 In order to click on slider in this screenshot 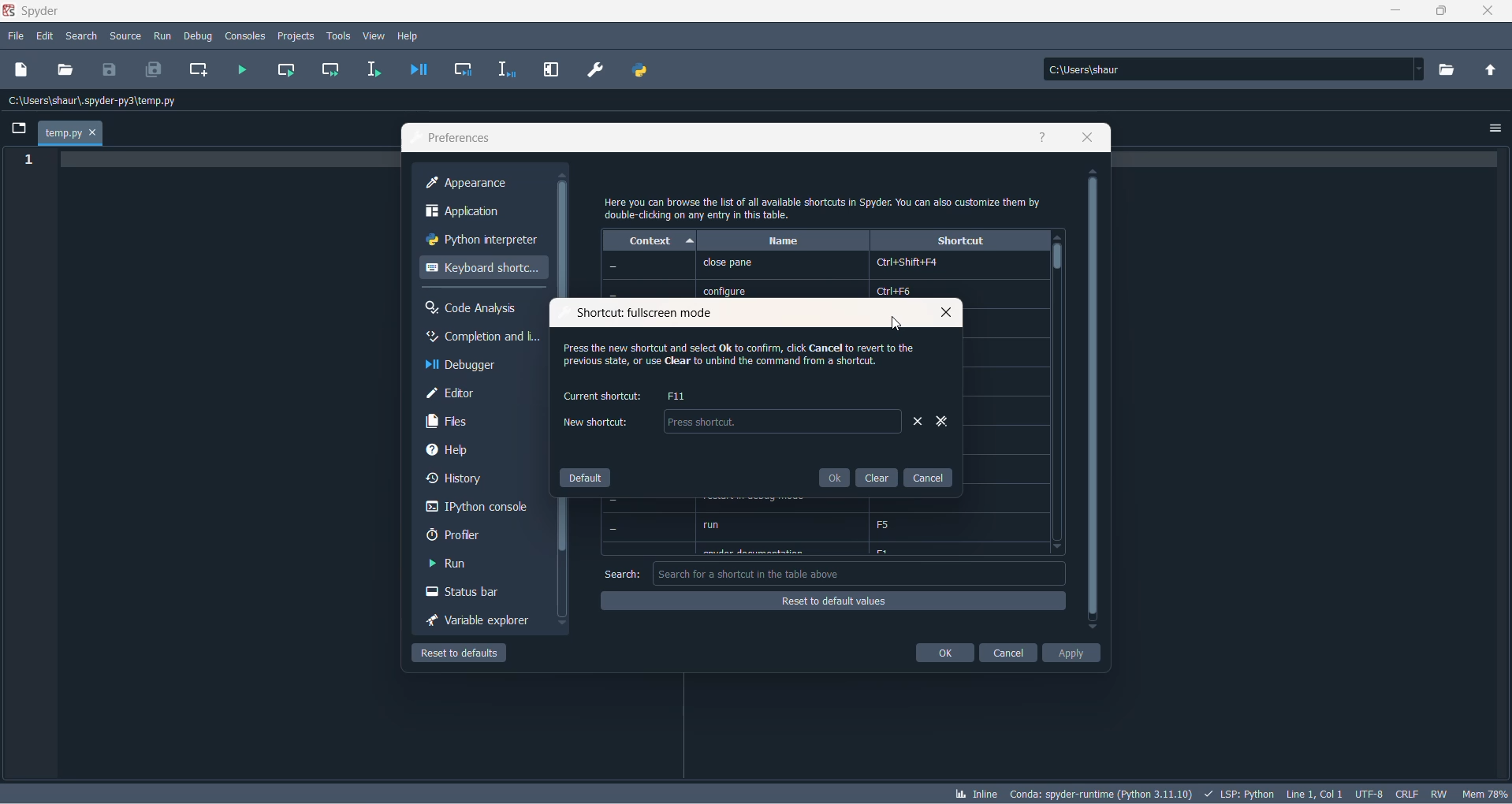, I will do `click(1057, 262)`.